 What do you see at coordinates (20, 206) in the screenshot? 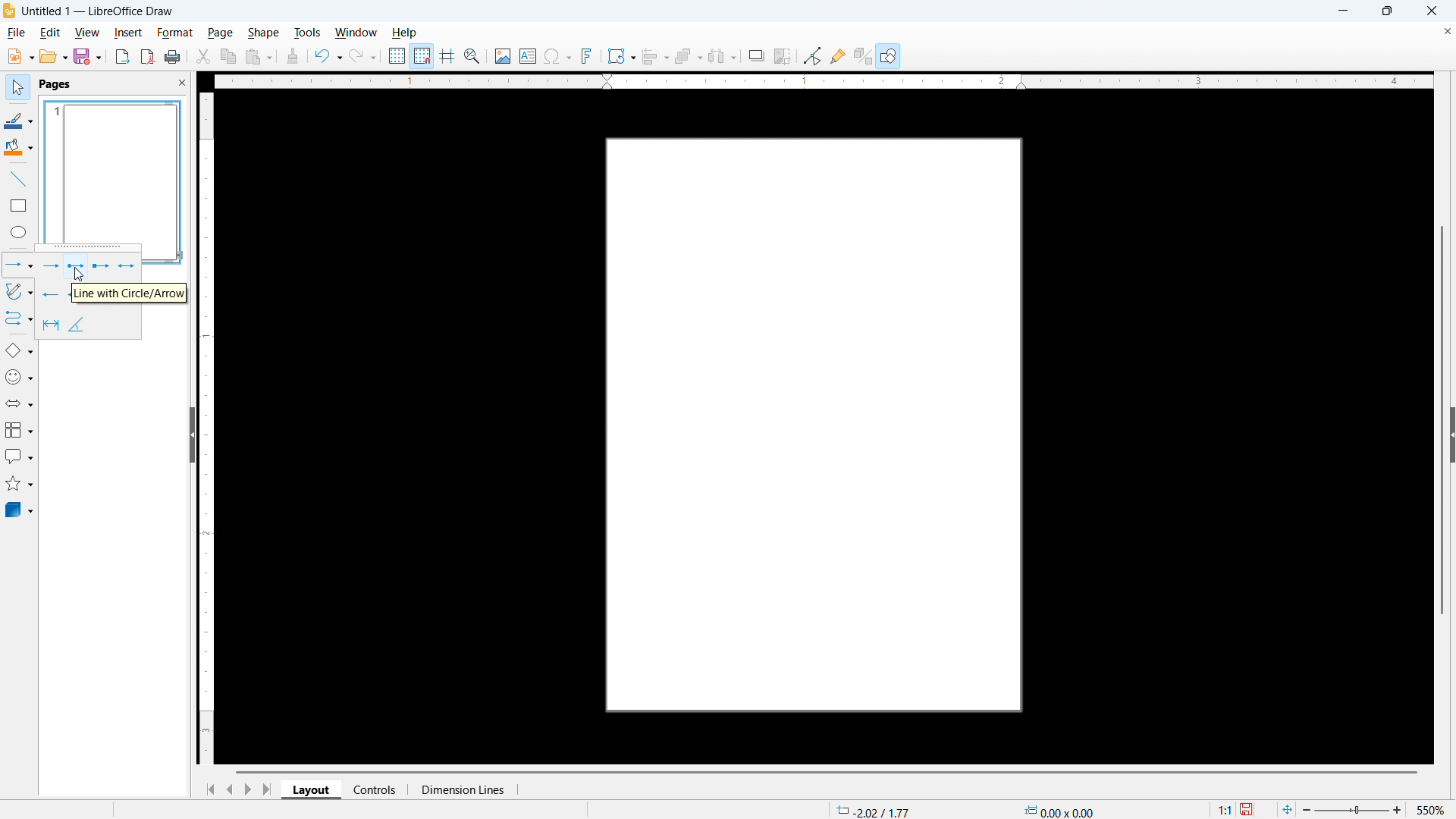
I see `Rectangle ` at bounding box center [20, 206].